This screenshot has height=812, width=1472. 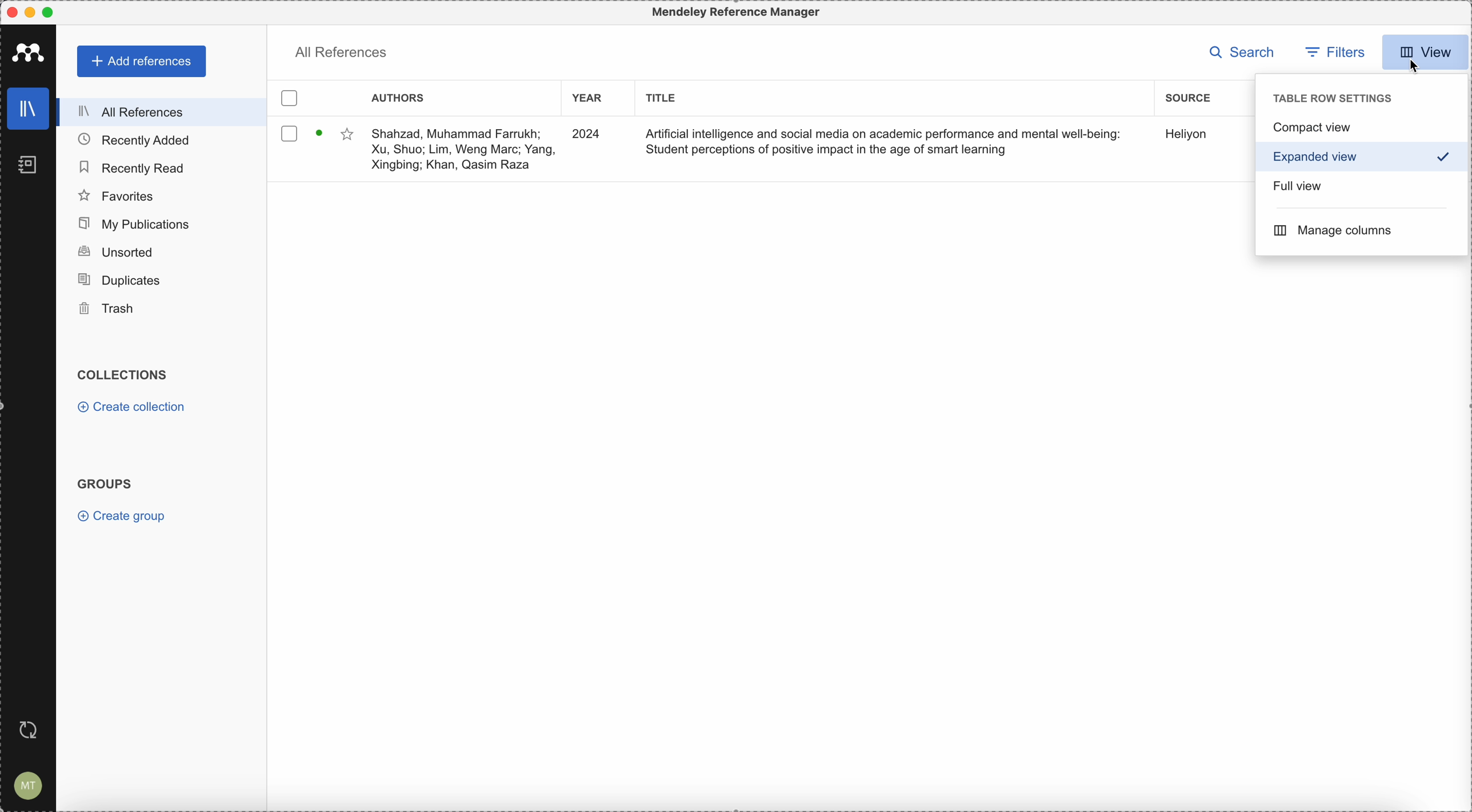 What do you see at coordinates (293, 99) in the screenshot?
I see `checkbox` at bounding box center [293, 99].